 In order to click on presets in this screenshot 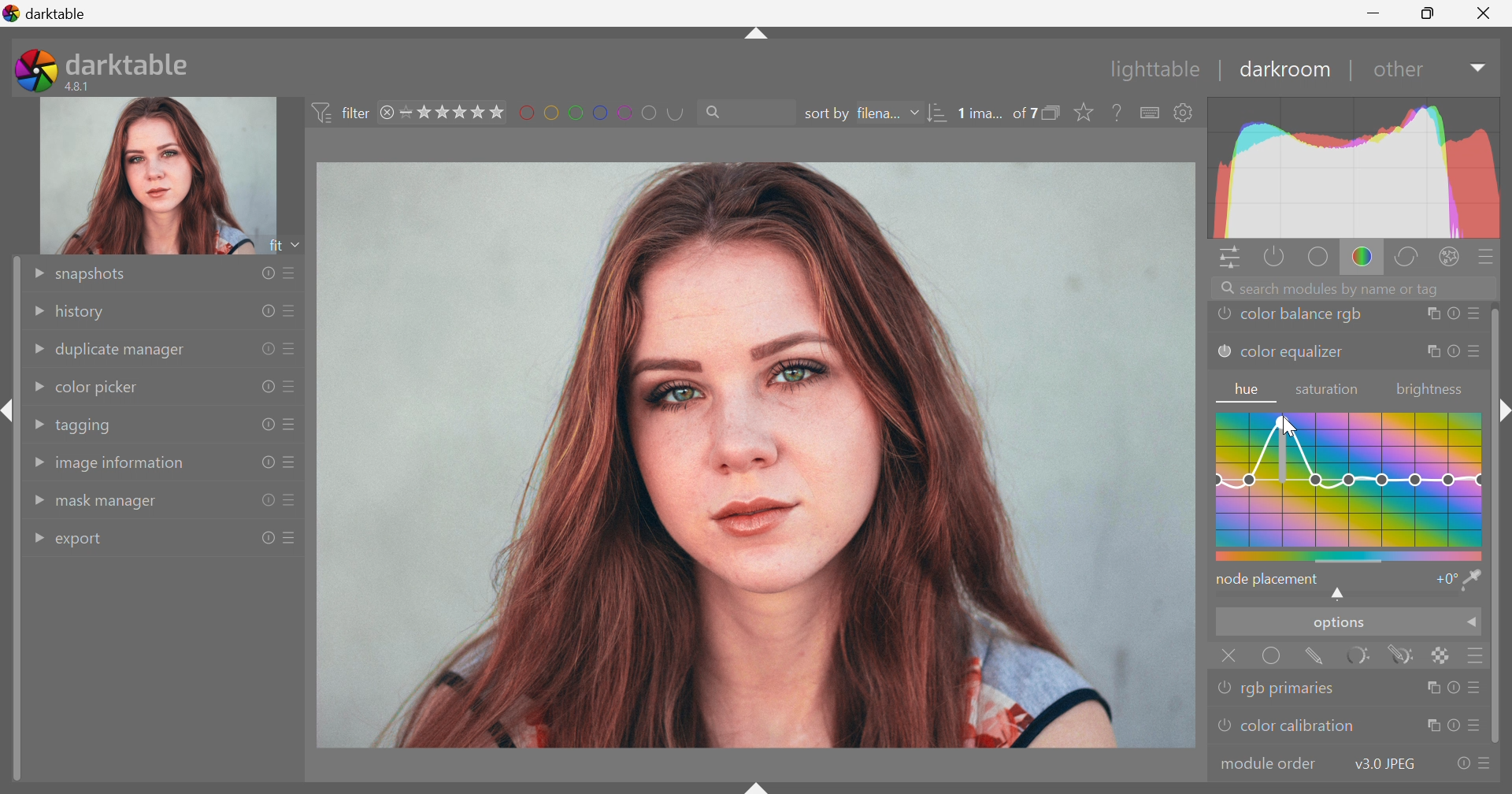, I will do `click(291, 311)`.